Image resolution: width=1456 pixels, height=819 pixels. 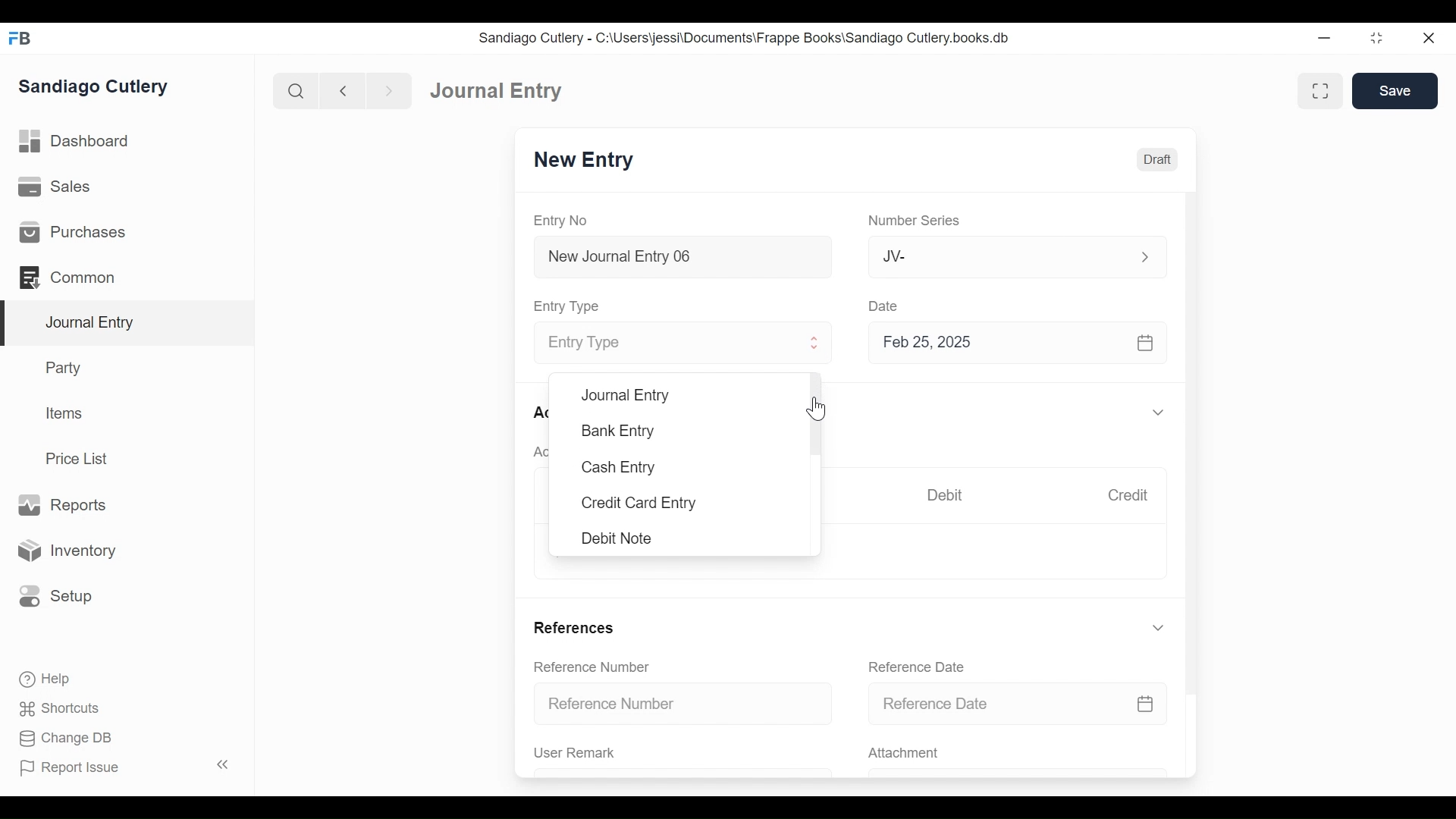 What do you see at coordinates (620, 431) in the screenshot?
I see `Bank Entry` at bounding box center [620, 431].